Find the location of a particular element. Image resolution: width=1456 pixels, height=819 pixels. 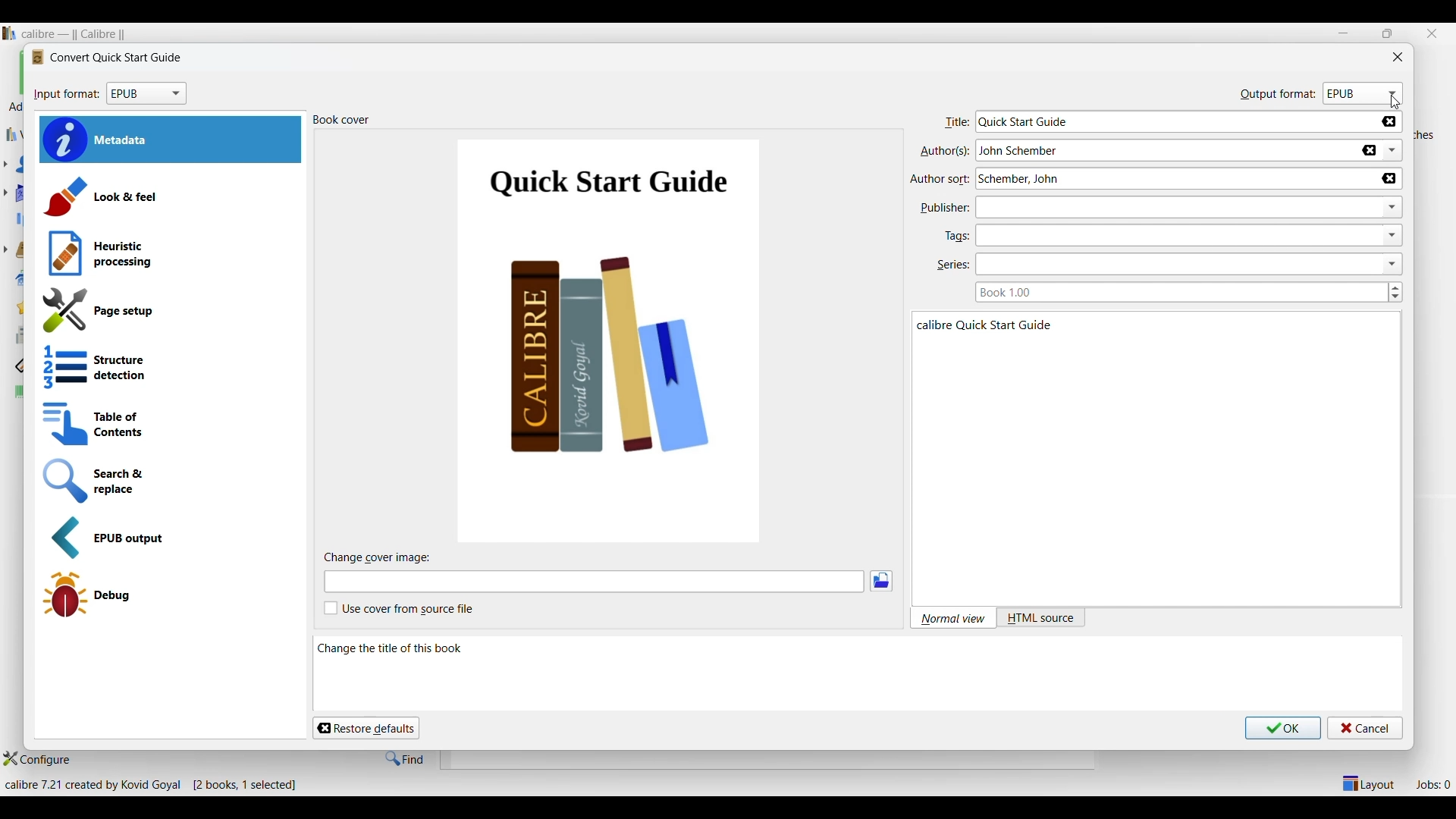

author sort is located at coordinates (941, 178).